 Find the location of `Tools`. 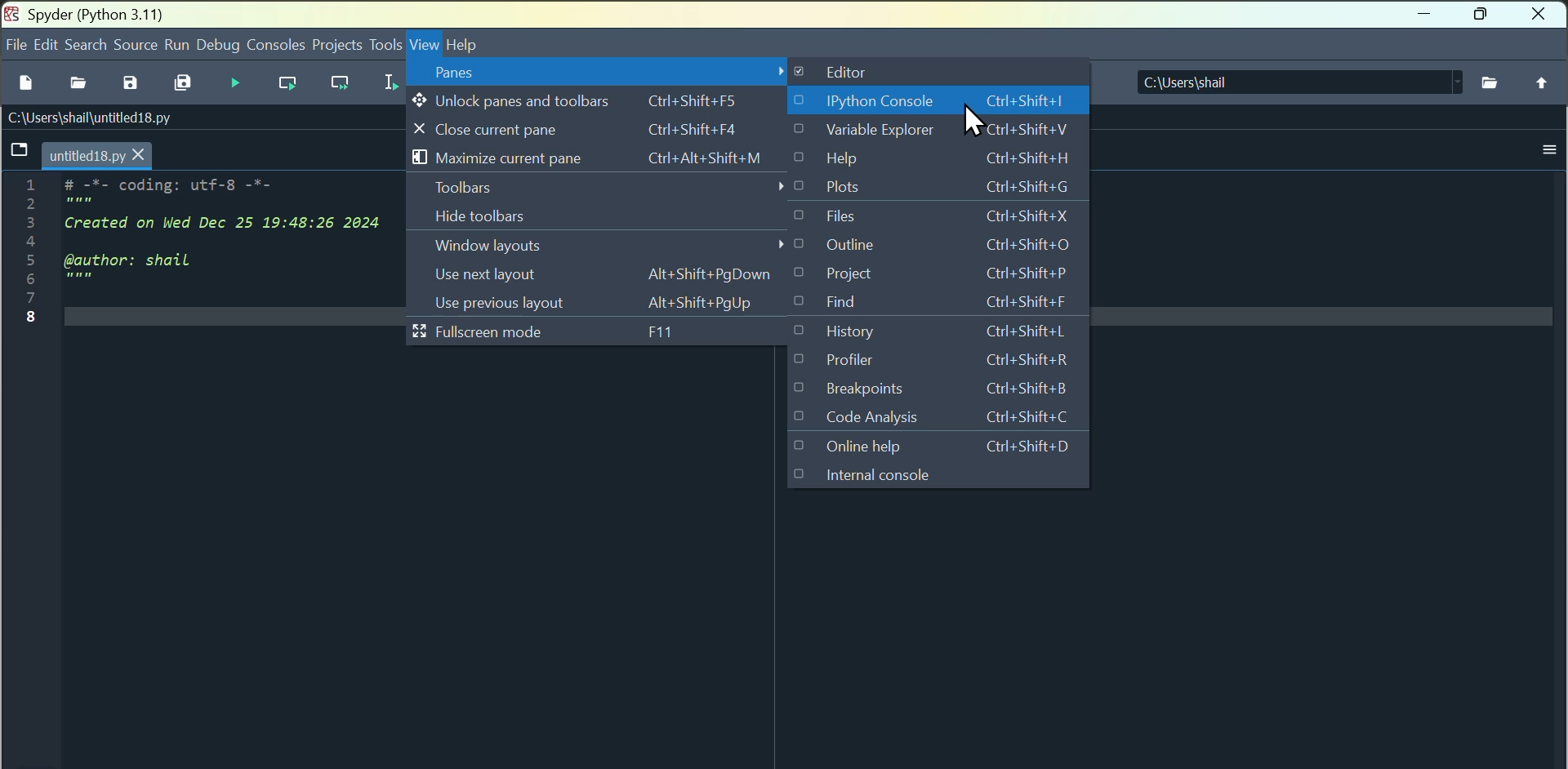

Tools is located at coordinates (386, 45).